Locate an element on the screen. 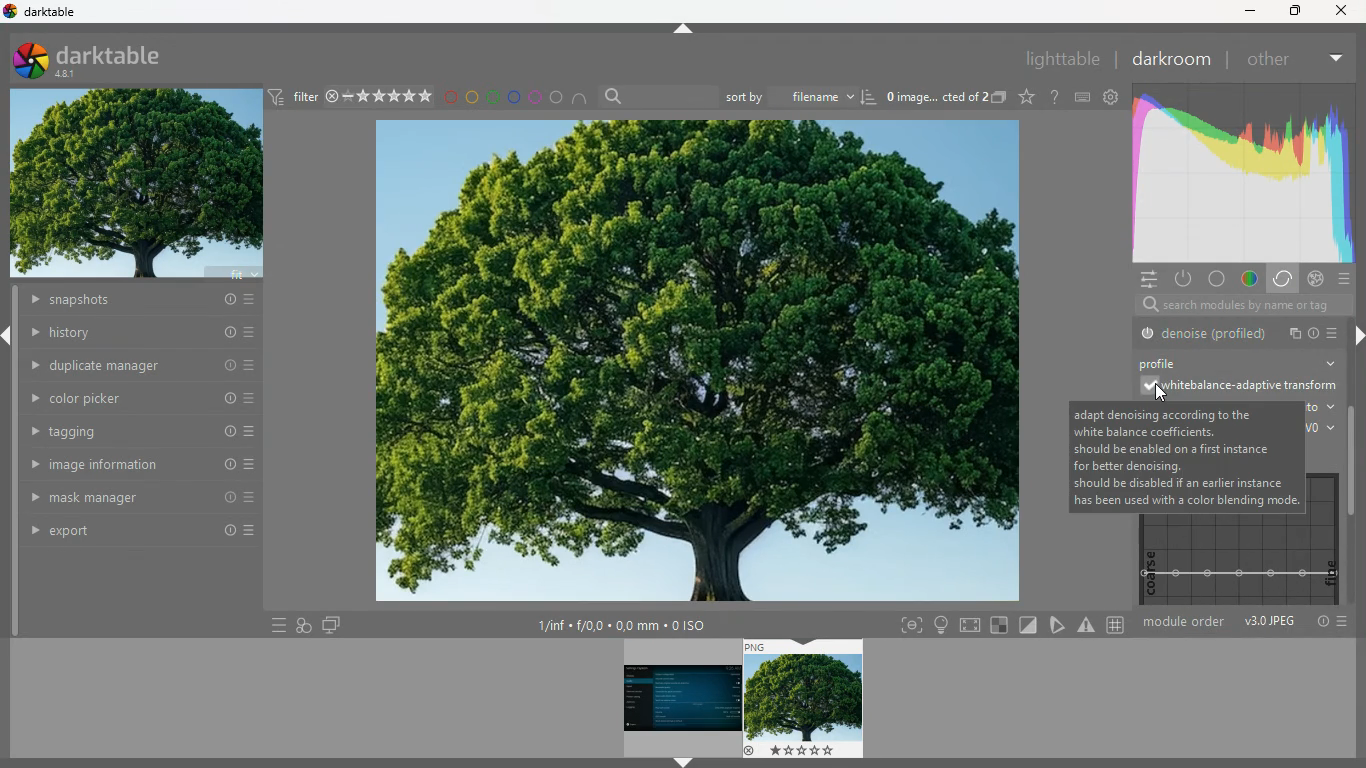 The image size is (1366, 768). search is located at coordinates (1143, 305).